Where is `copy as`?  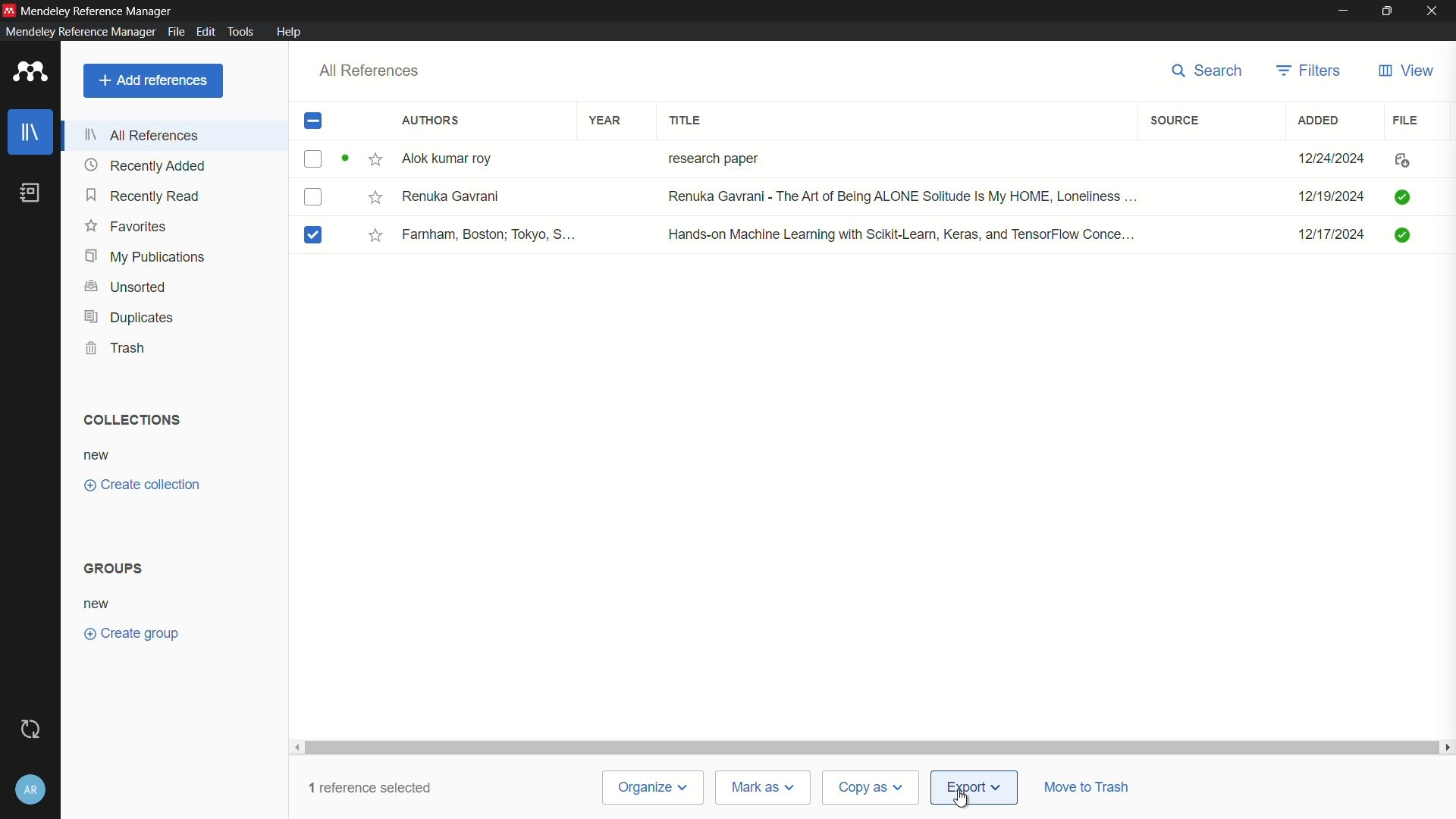 copy as is located at coordinates (871, 789).